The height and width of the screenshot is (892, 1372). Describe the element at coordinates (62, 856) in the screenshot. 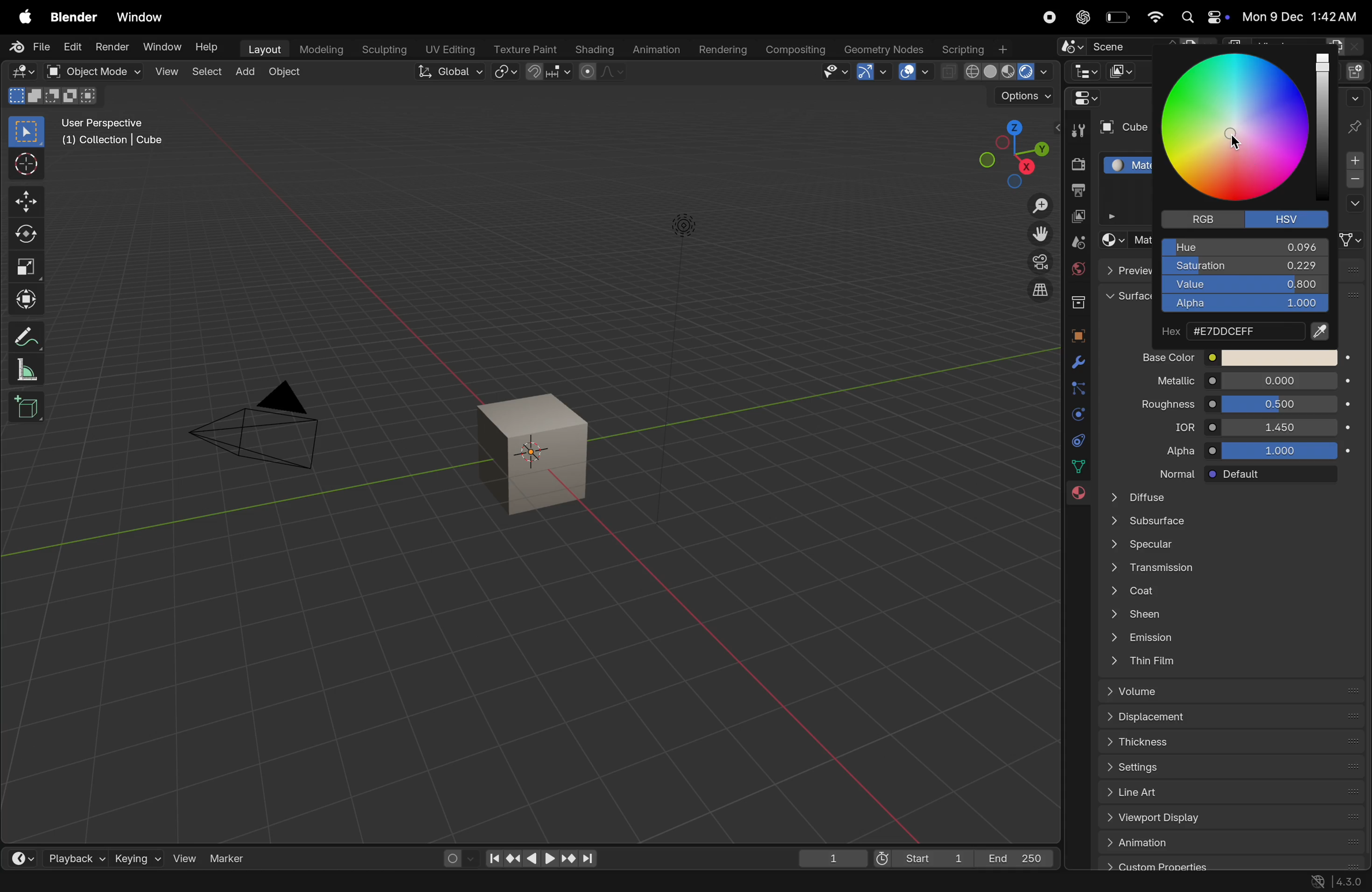

I see `playback` at that location.